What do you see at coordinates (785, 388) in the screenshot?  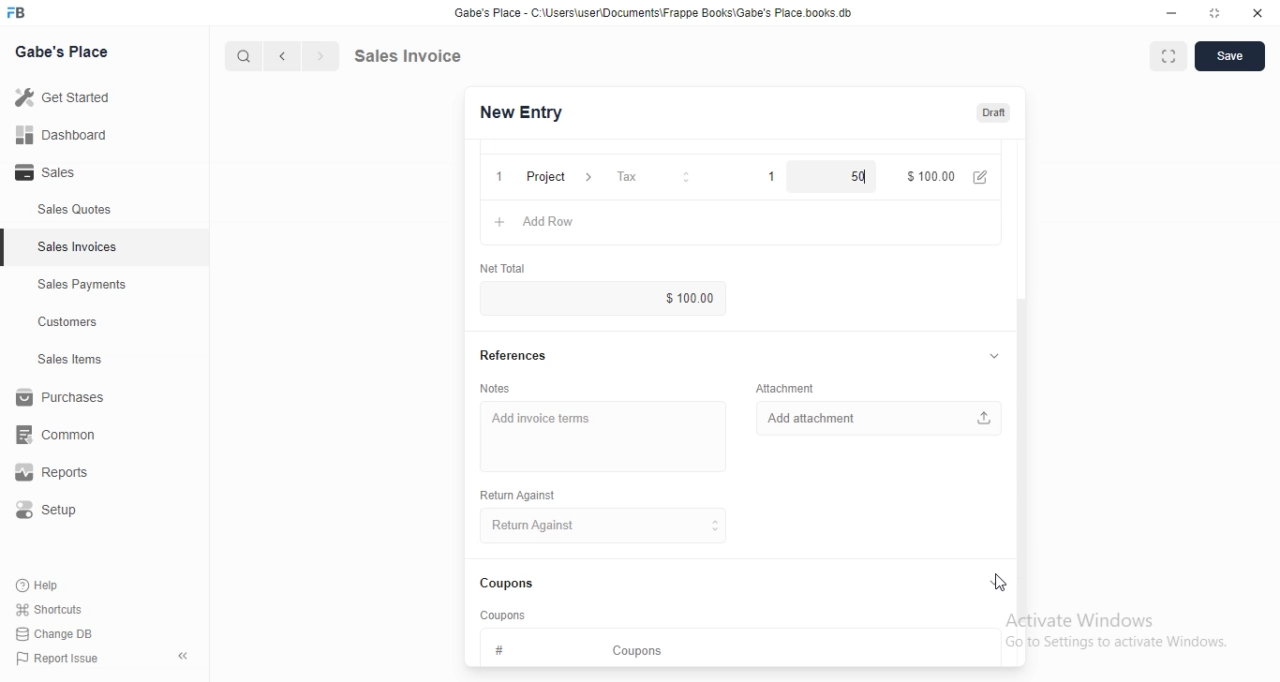 I see `‘Attachment` at bounding box center [785, 388].